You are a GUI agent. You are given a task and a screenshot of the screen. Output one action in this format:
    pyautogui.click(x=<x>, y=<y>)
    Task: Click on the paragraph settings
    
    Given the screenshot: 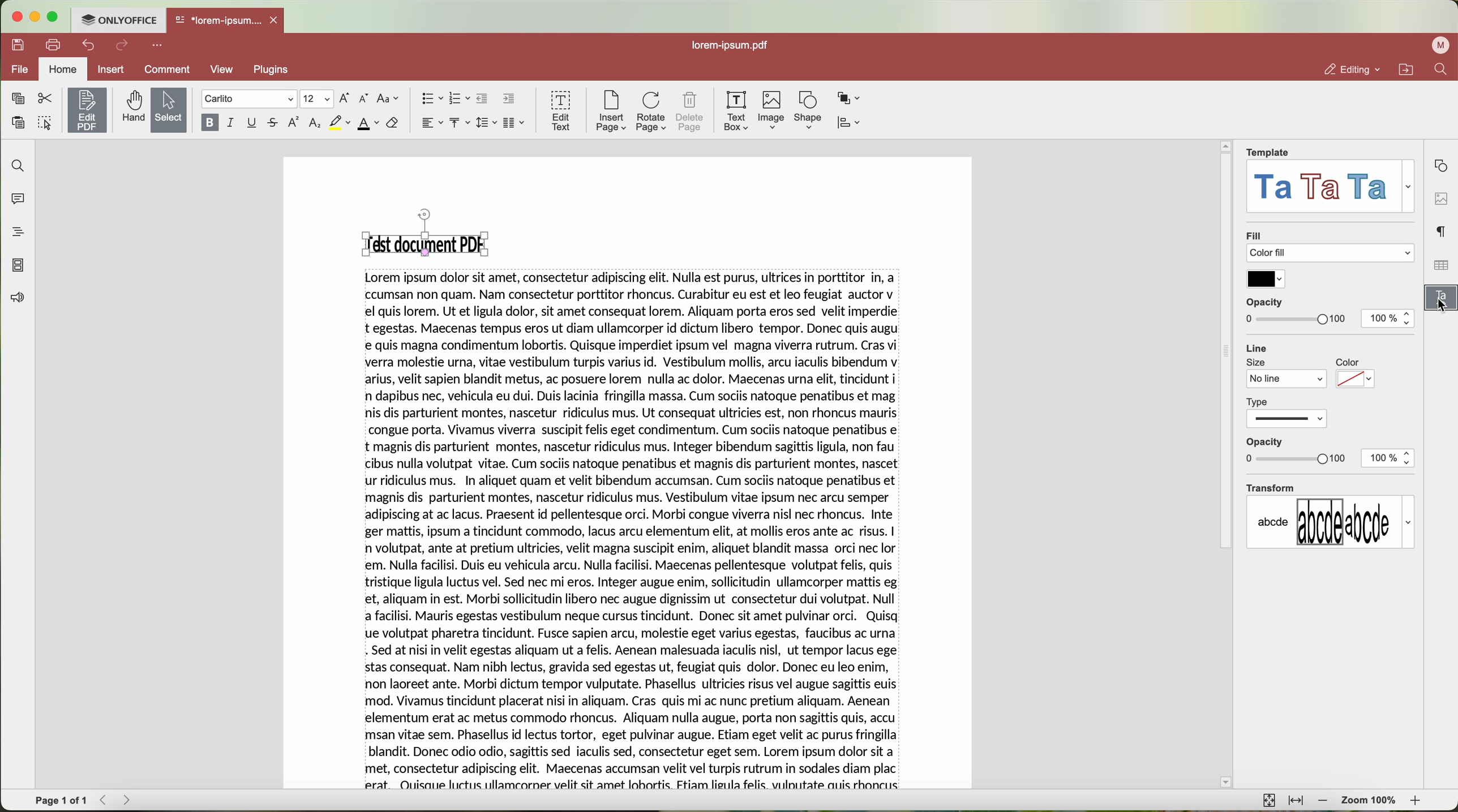 What is the action you would take?
    pyautogui.click(x=1442, y=231)
    